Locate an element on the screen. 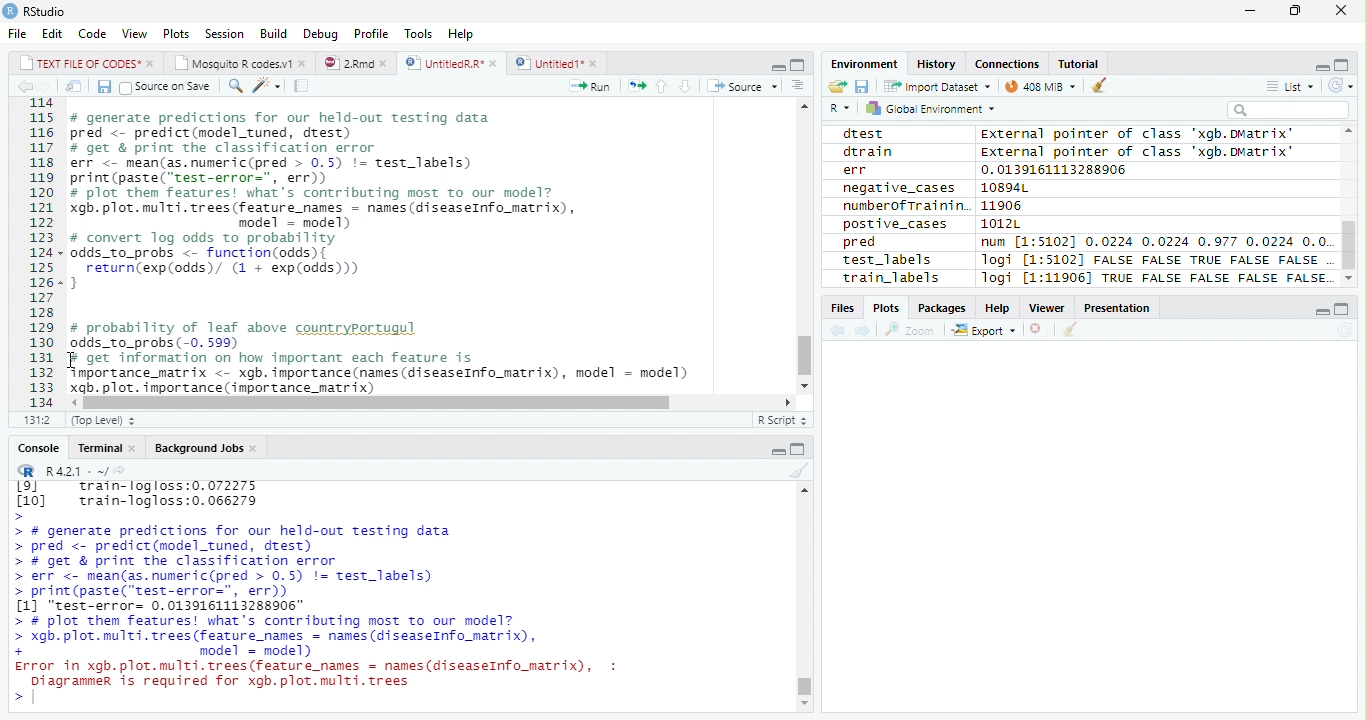  test_labels is located at coordinates (886, 260).